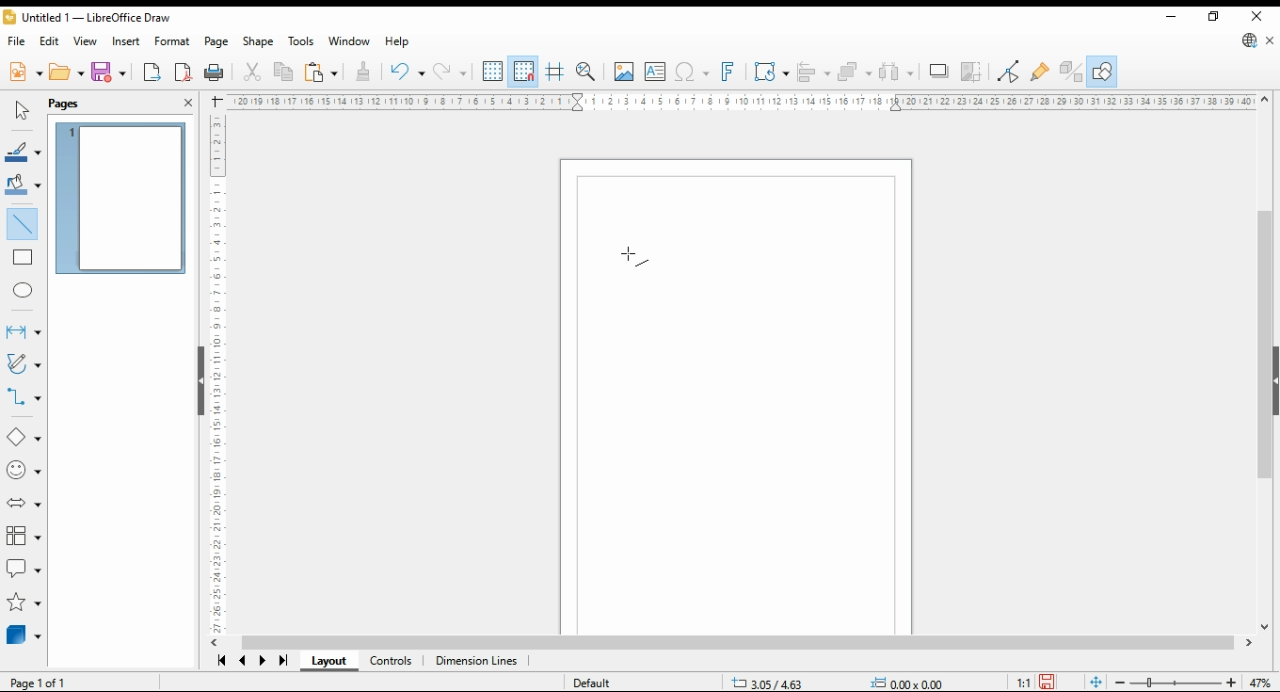  I want to click on save, so click(1052, 682).